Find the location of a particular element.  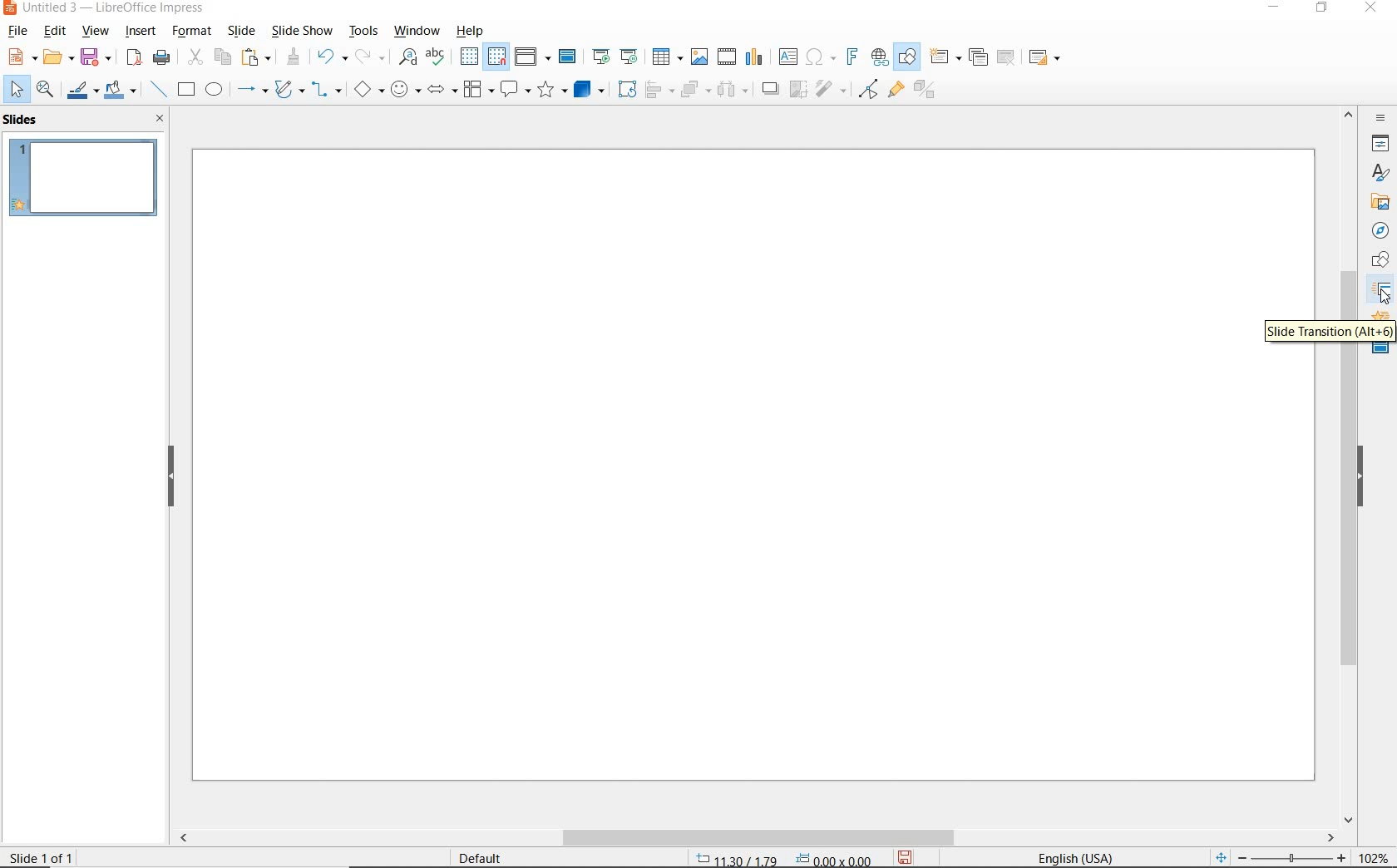

POSITION AND SIZE is located at coordinates (778, 856).